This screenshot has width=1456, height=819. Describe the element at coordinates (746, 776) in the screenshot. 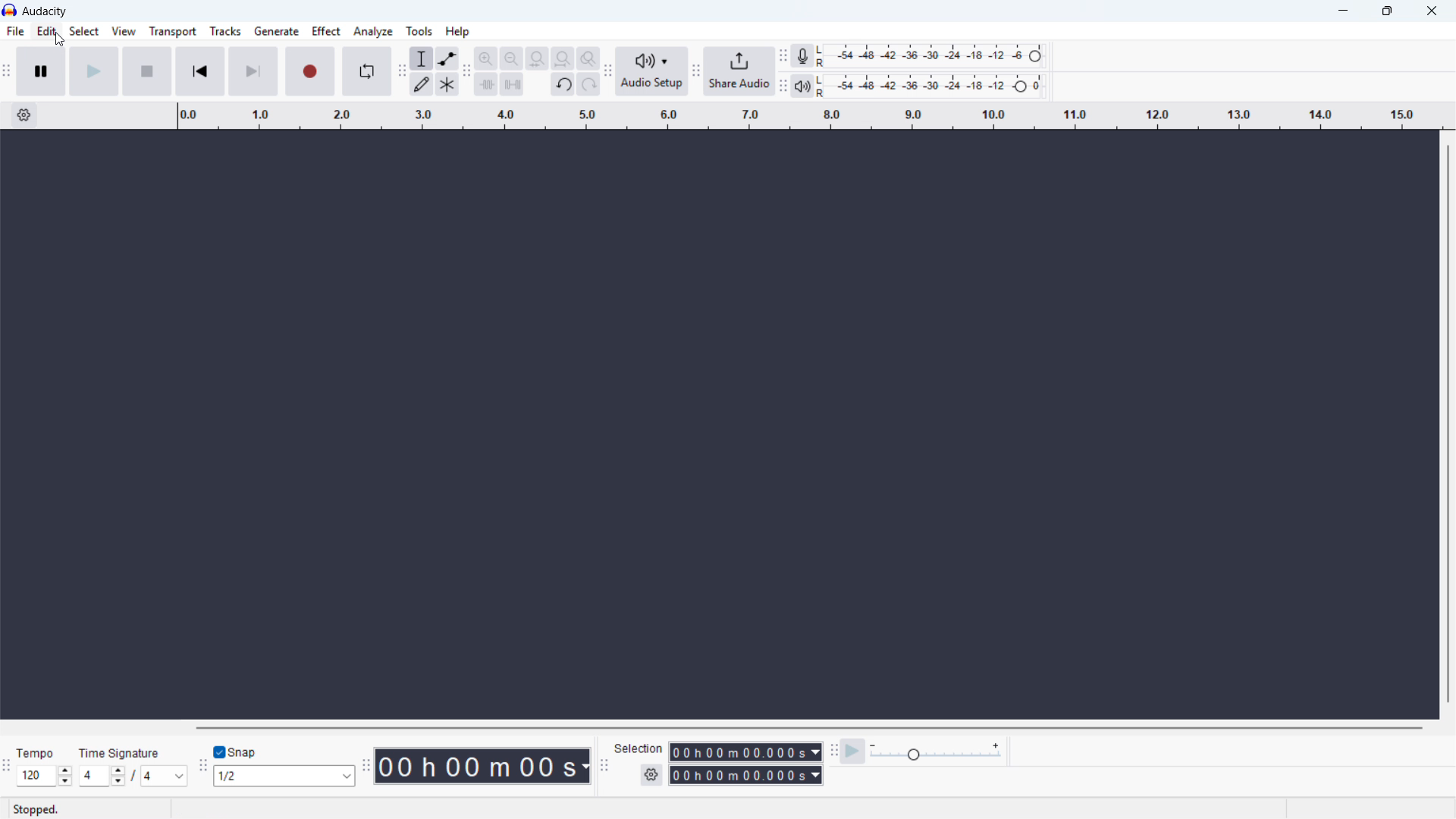

I see `end time` at that location.